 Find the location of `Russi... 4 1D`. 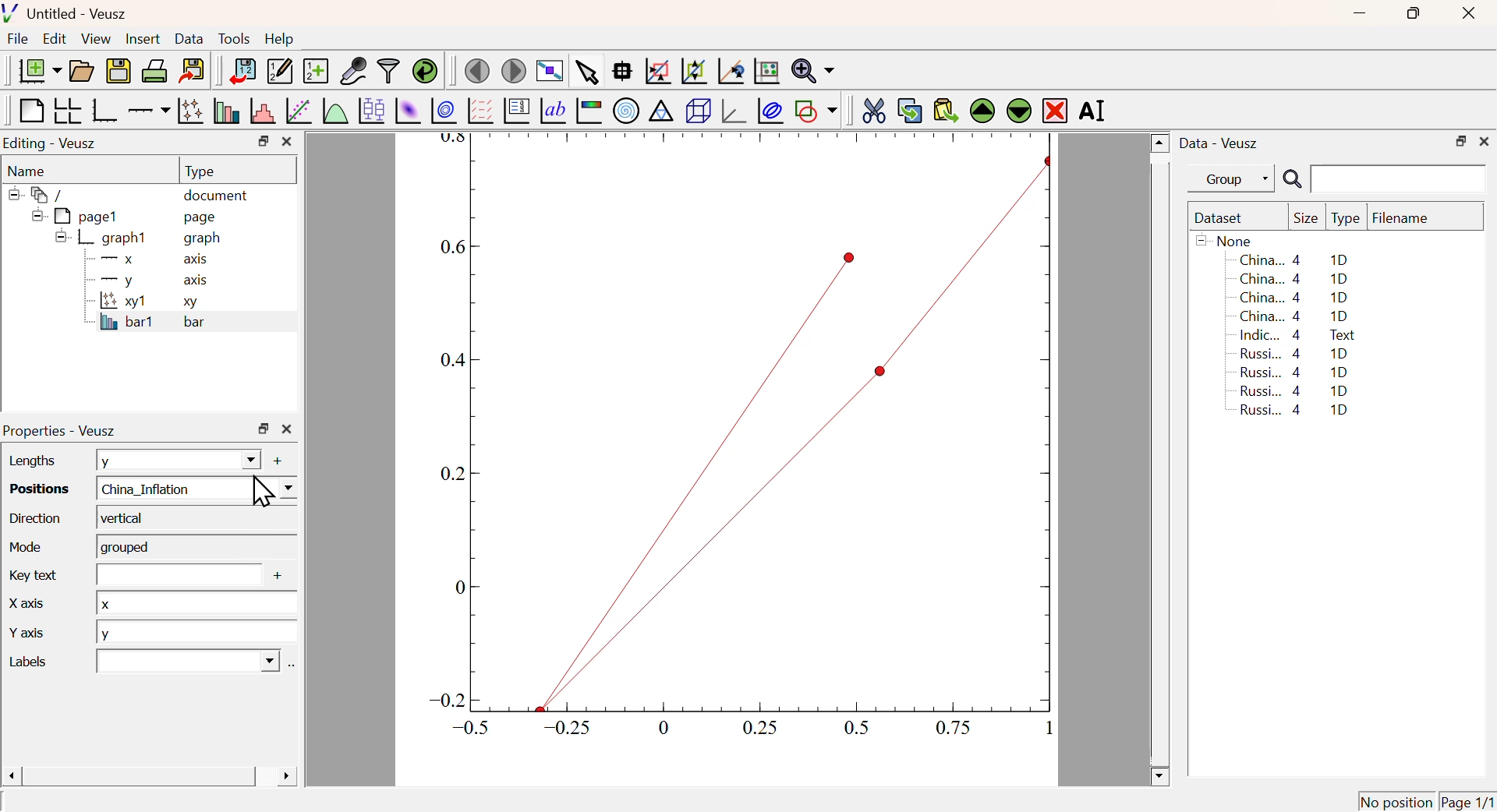

Russi... 4 1D is located at coordinates (1297, 411).